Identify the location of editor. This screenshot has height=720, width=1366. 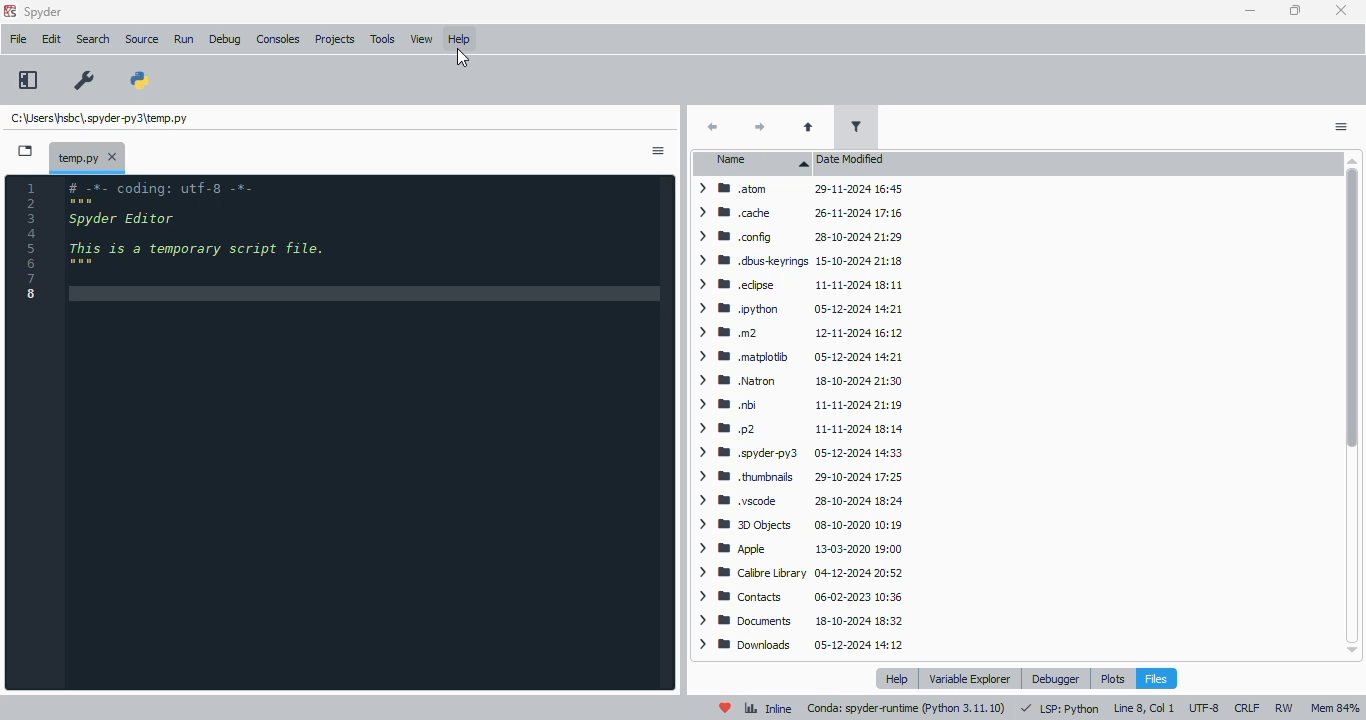
(368, 434).